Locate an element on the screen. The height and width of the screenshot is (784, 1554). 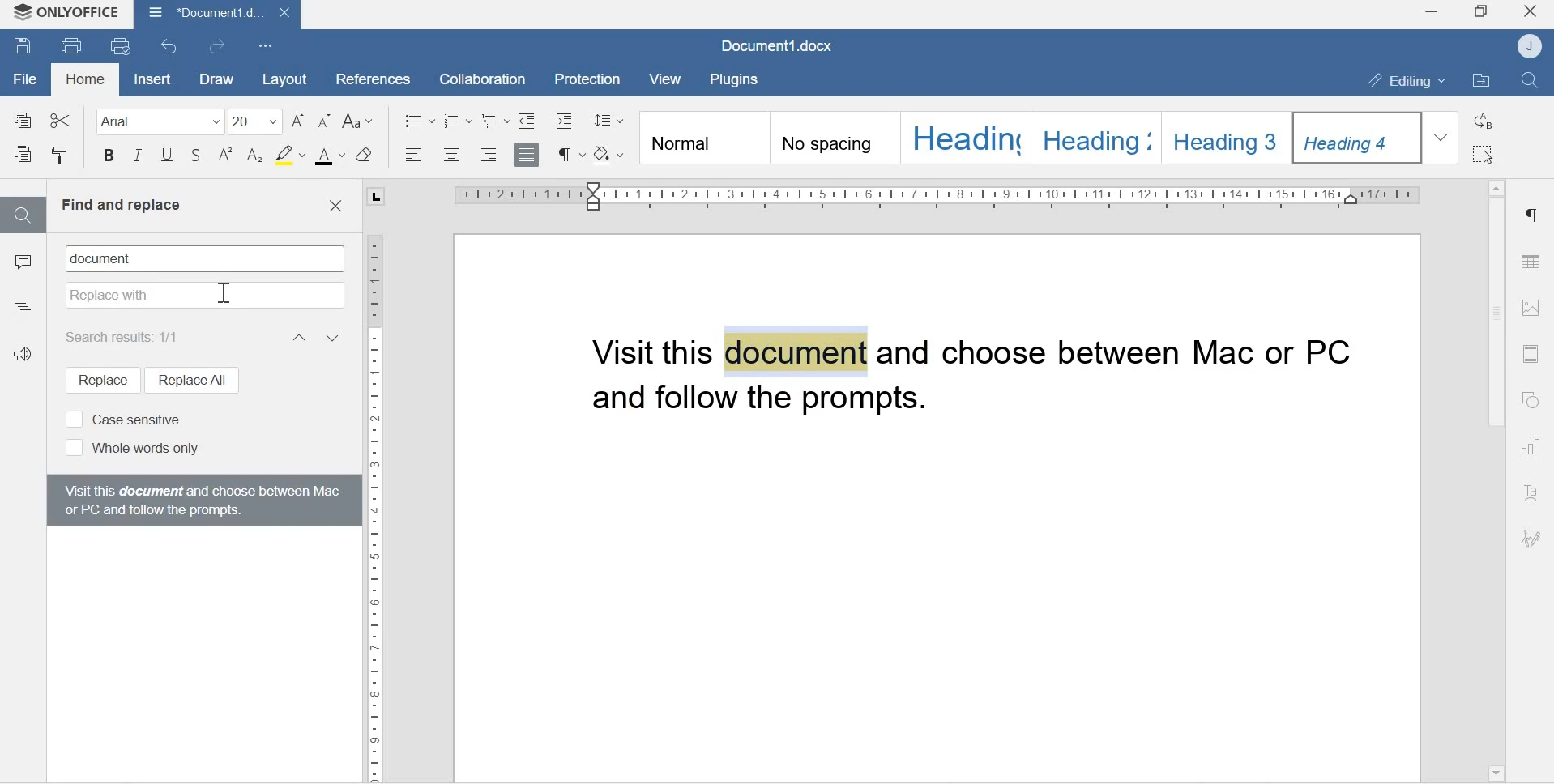
Image is located at coordinates (1531, 307).